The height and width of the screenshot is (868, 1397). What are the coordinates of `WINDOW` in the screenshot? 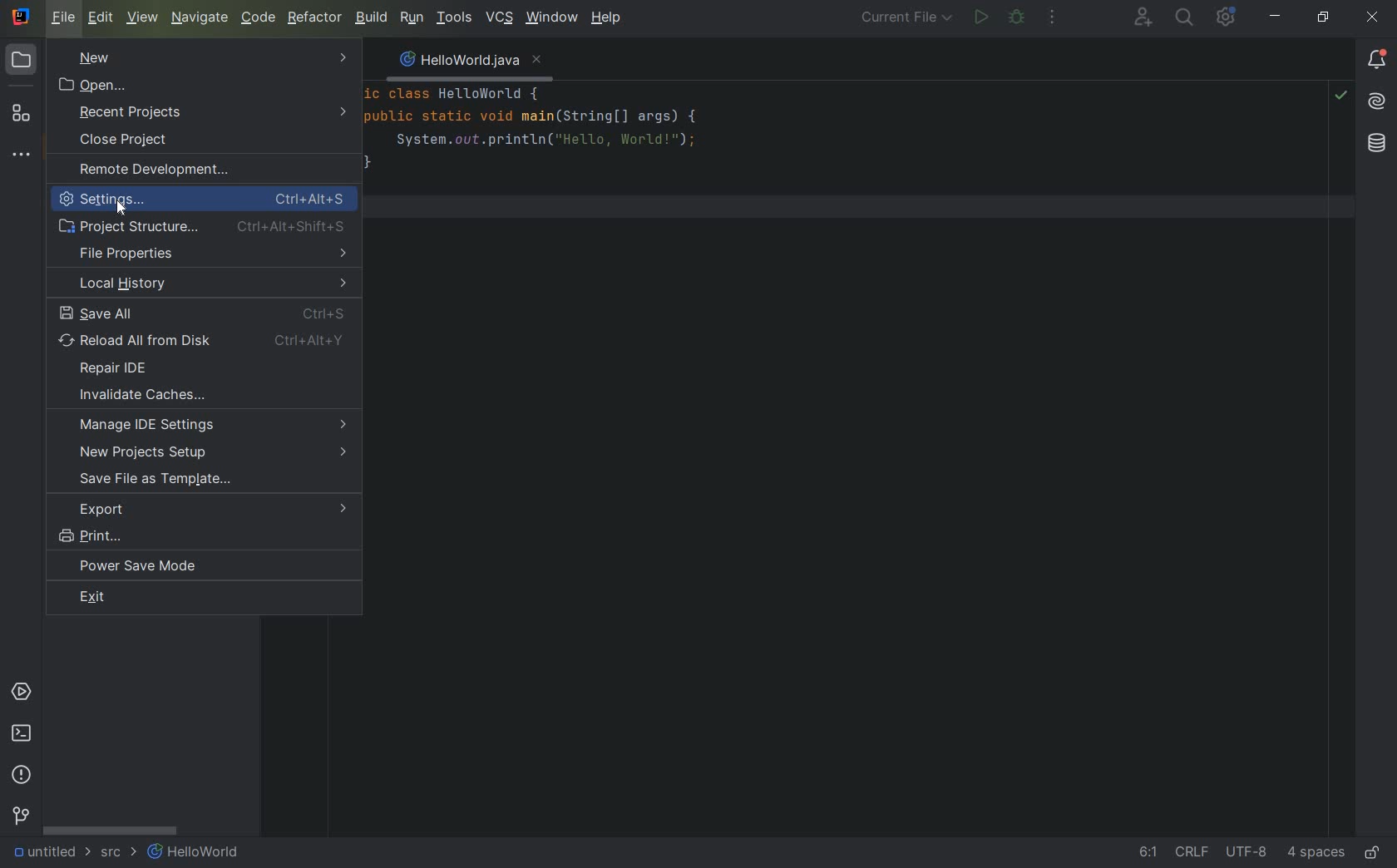 It's located at (550, 19).